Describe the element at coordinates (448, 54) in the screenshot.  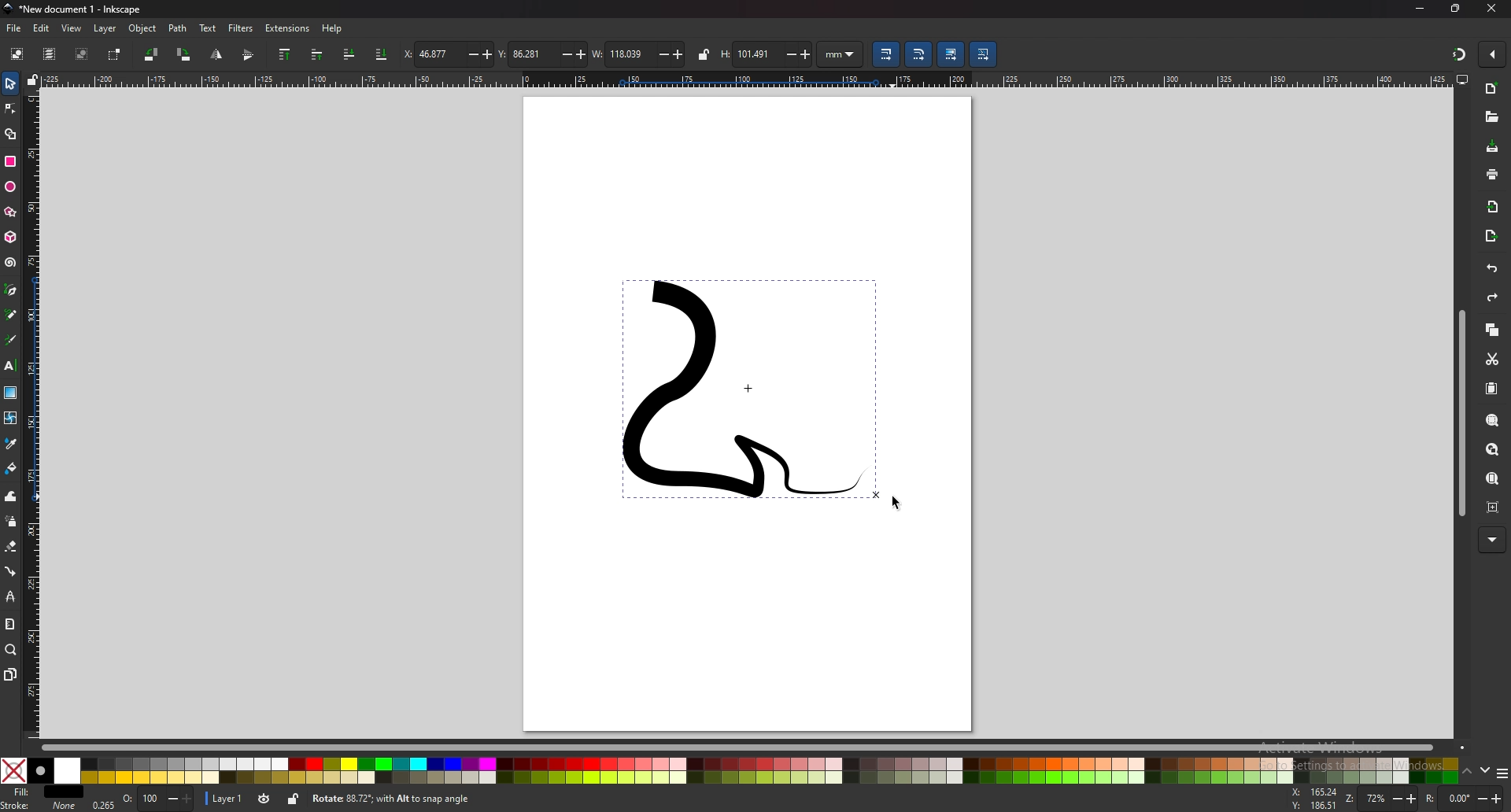
I see `x coordinates` at that location.